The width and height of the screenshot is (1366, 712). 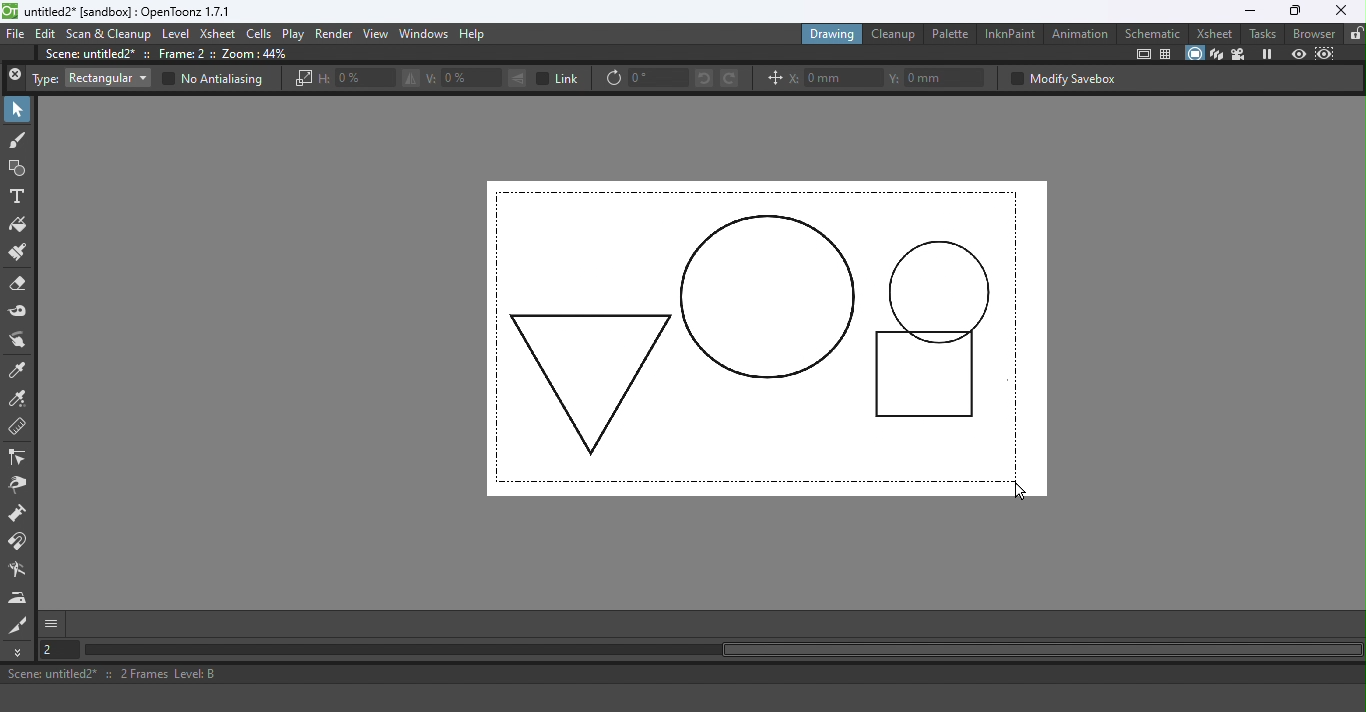 What do you see at coordinates (21, 340) in the screenshot?
I see `Finger tool` at bounding box center [21, 340].